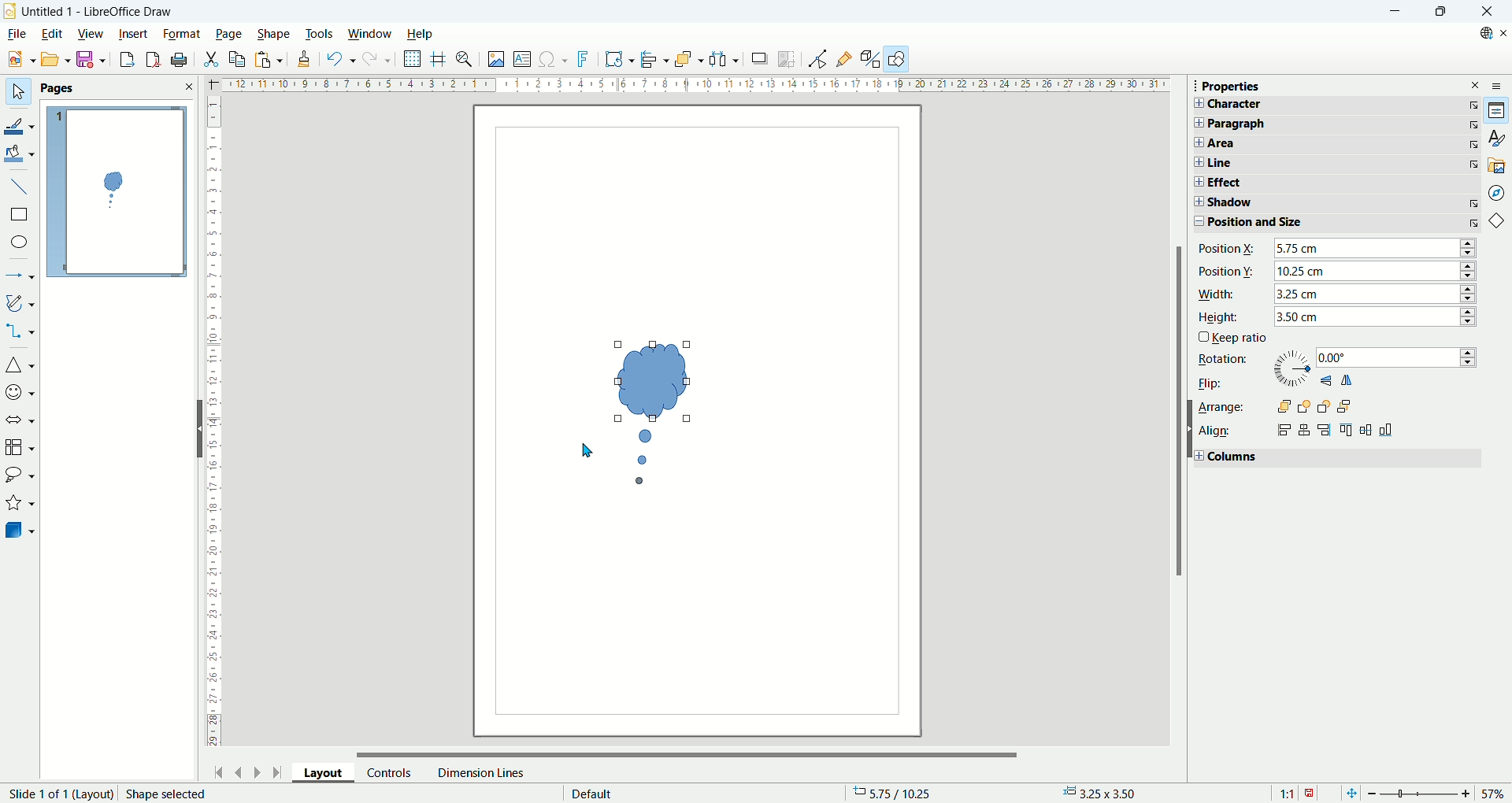  I want to click on More Options, so click(1473, 124).